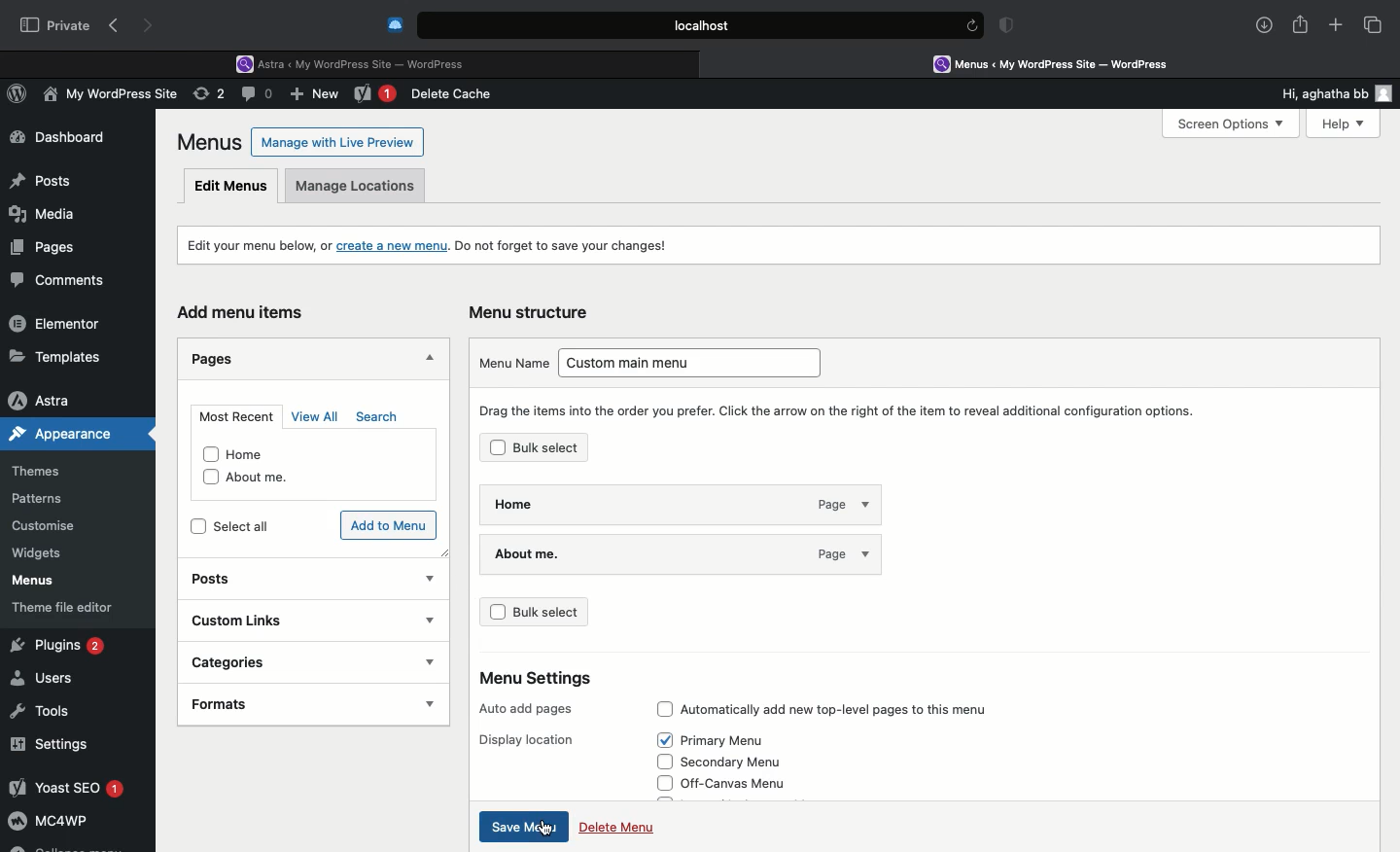 The image size is (1400, 852). I want to click on Tools, so click(42, 708).